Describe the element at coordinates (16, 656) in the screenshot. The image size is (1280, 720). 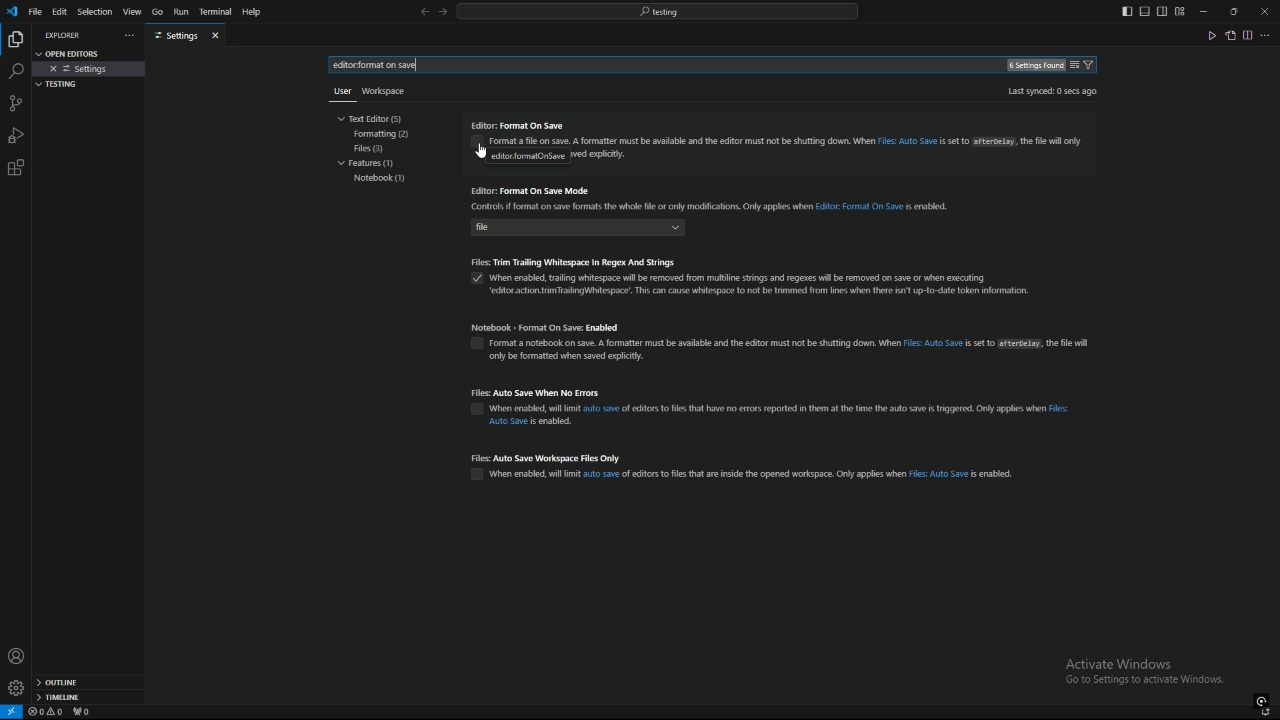
I see `profile` at that location.